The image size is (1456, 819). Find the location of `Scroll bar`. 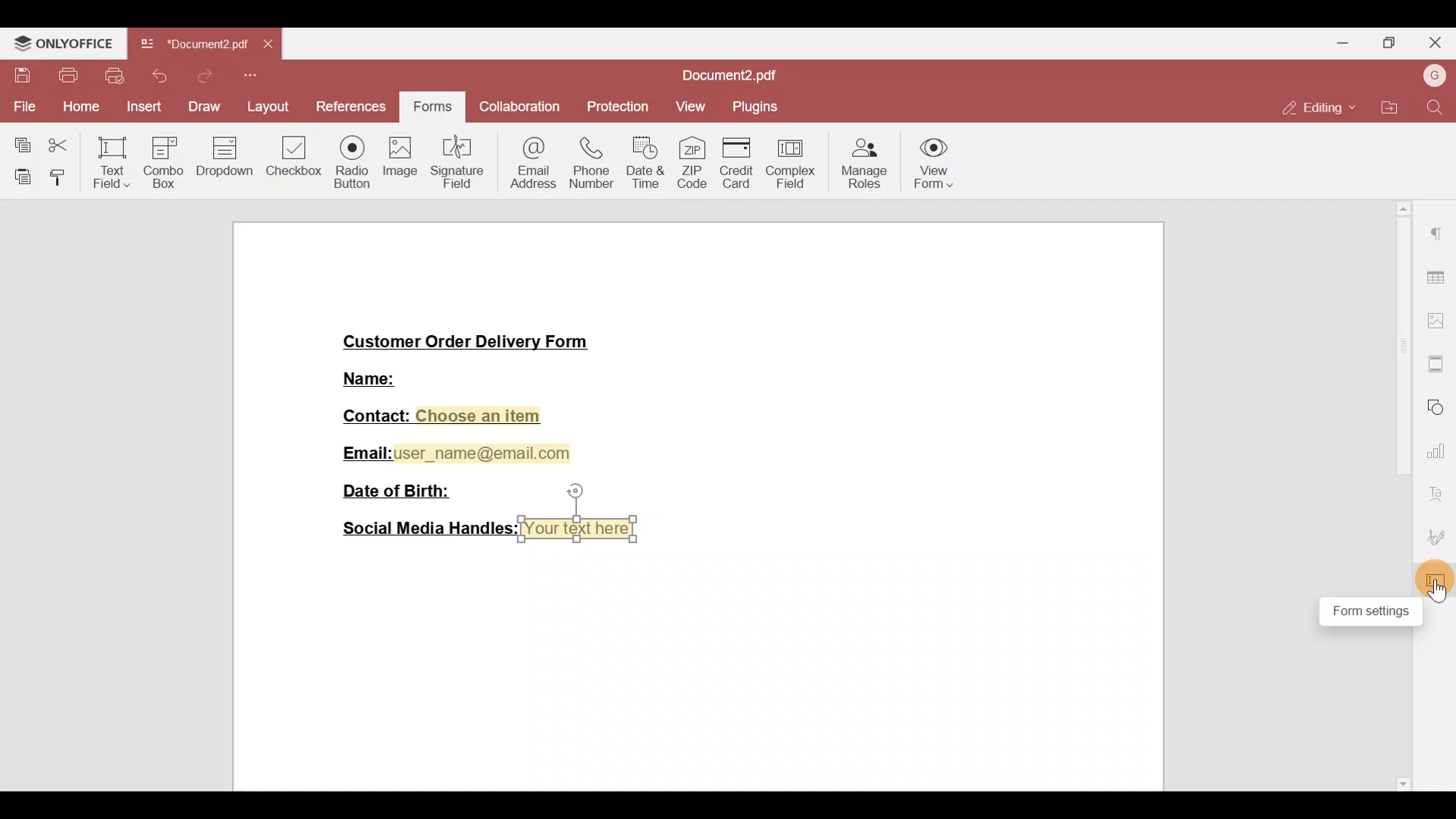

Scroll bar is located at coordinates (1402, 394).